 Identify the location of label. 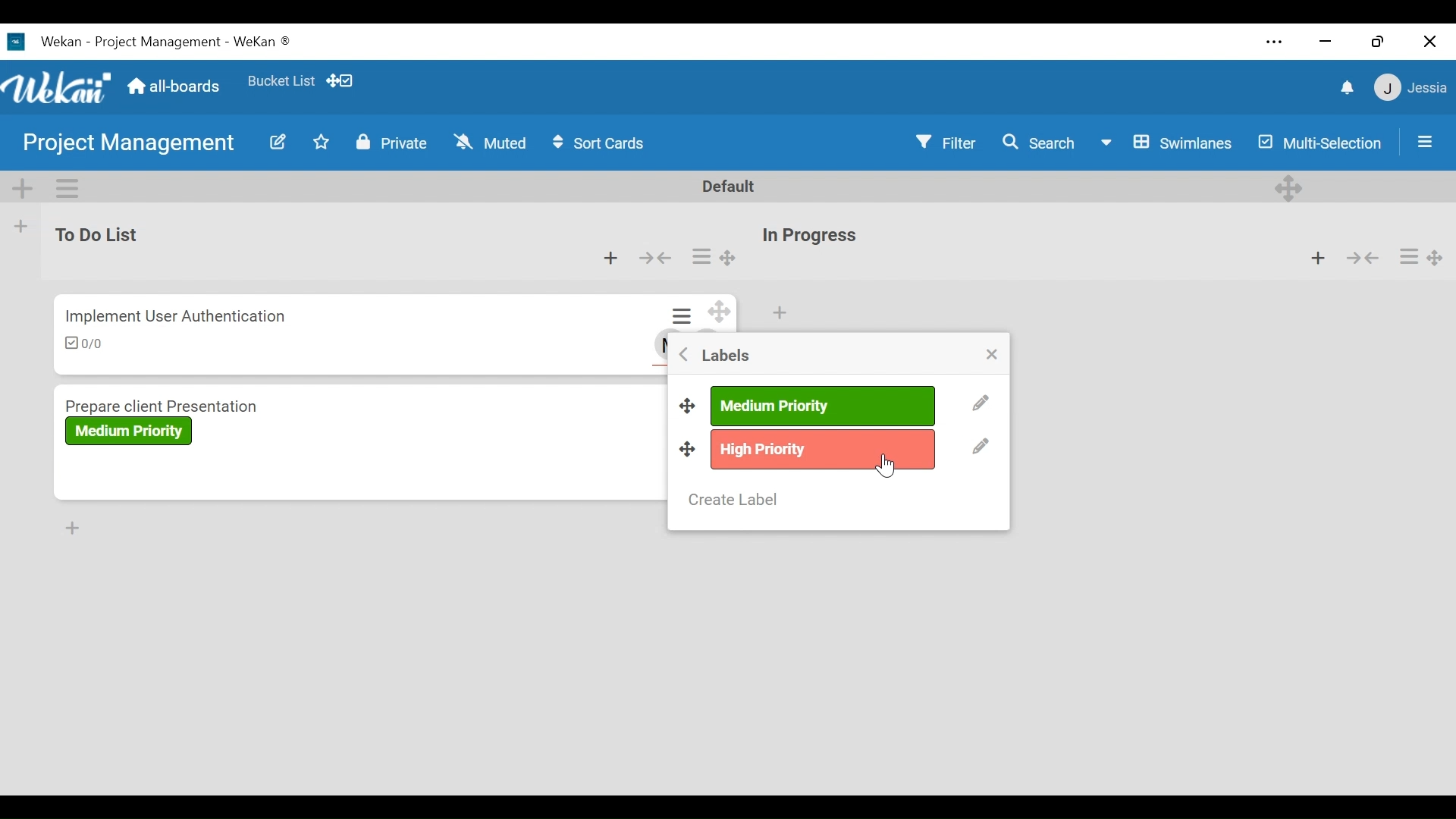
(131, 431).